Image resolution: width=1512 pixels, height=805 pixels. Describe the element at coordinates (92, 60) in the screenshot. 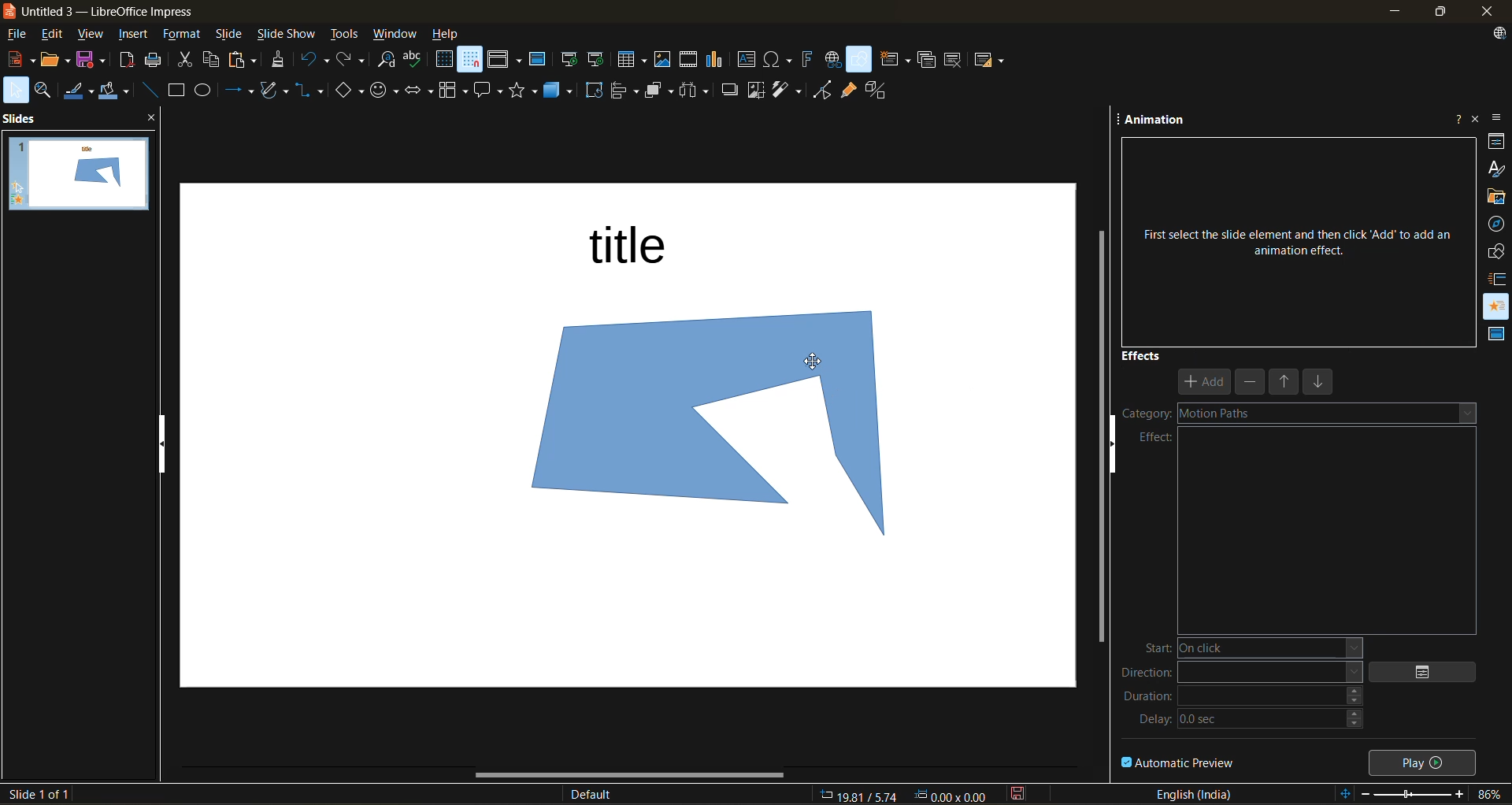

I see `save` at that location.